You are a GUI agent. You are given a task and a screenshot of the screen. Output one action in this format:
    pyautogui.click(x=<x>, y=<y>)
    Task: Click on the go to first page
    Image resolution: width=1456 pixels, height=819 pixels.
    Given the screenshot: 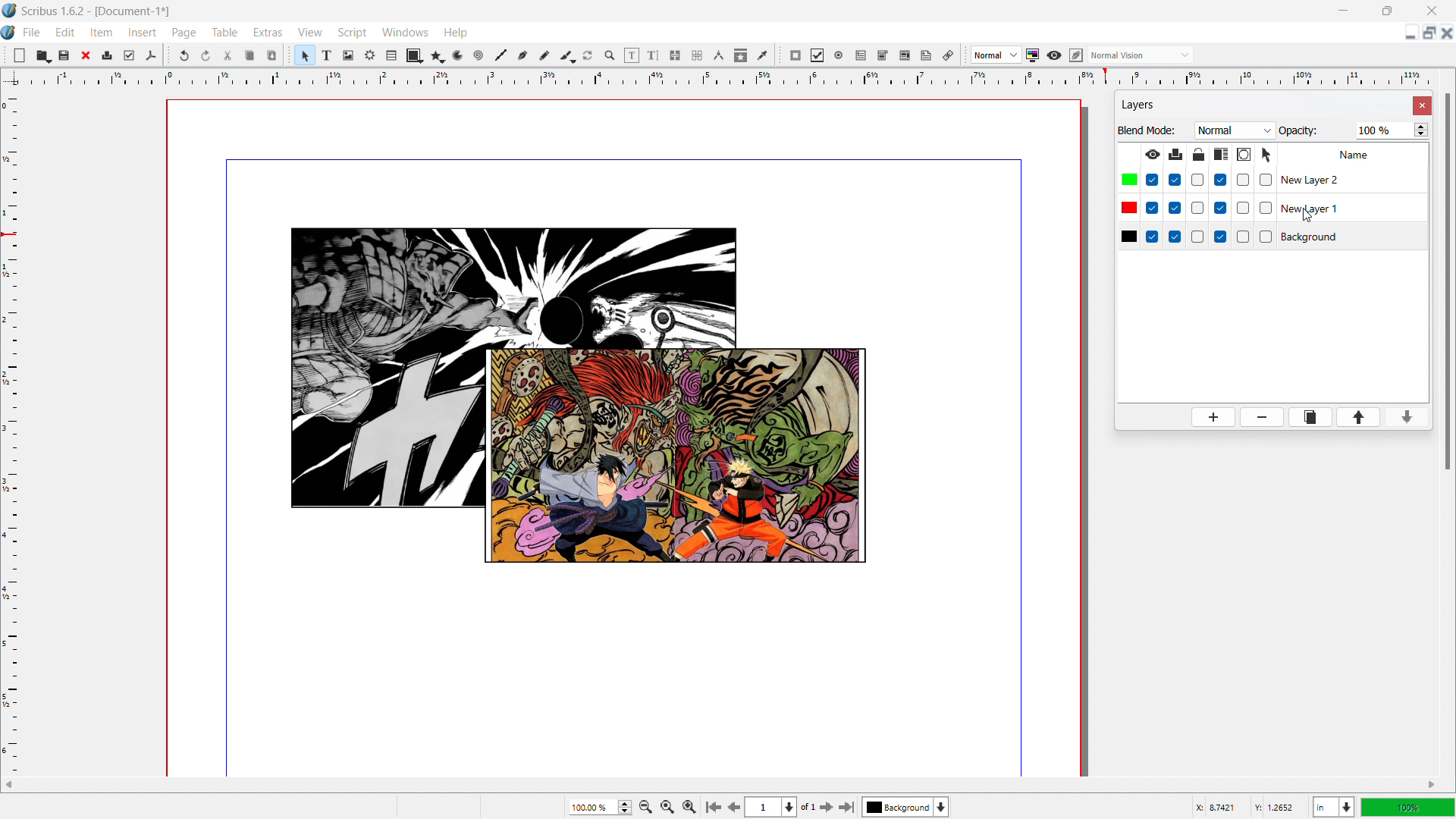 What is the action you would take?
    pyautogui.click(x=712, y=805)
    